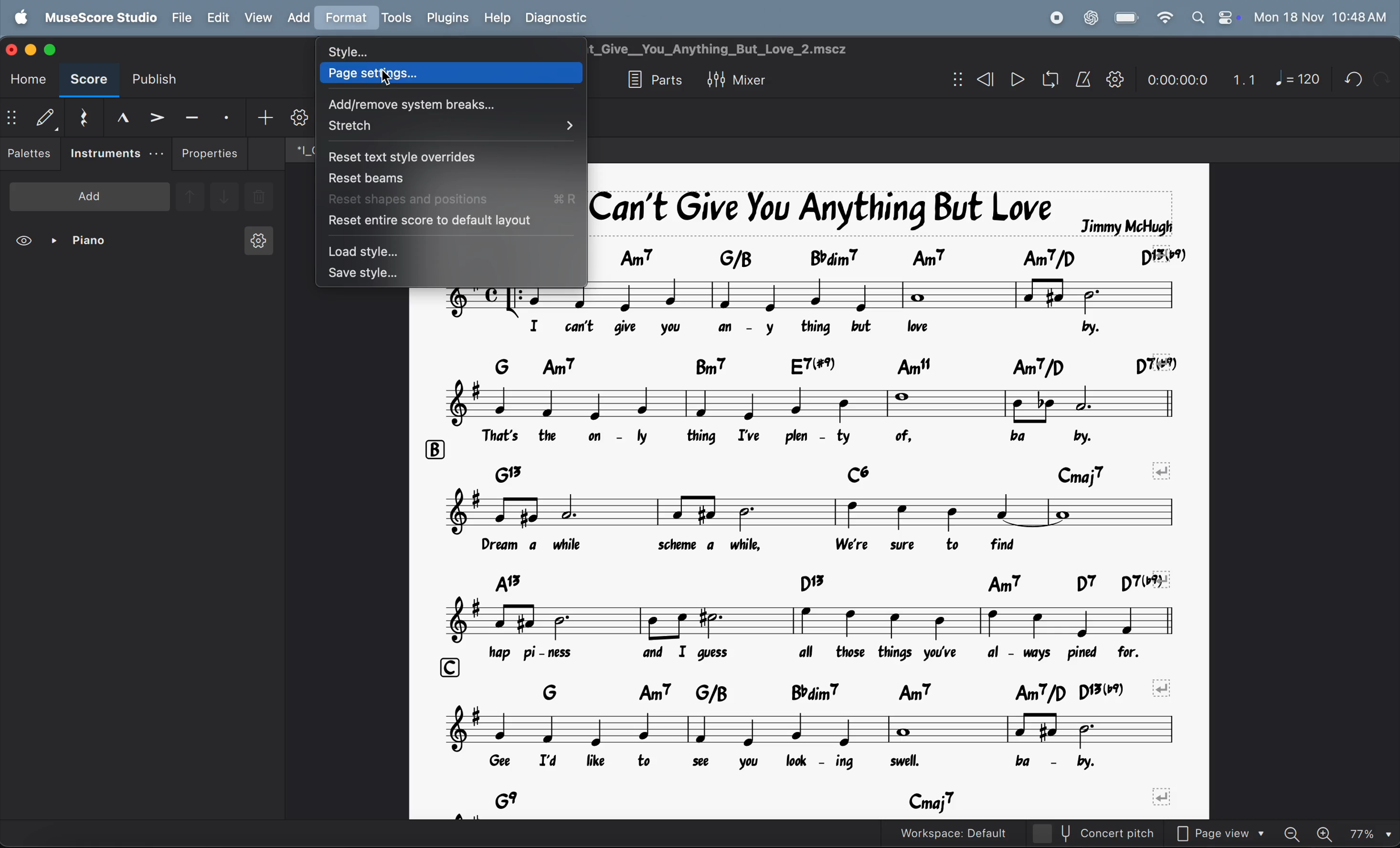 This screenshot has width=1400, height=848. I want to click on time frame, so click(1174, 77).